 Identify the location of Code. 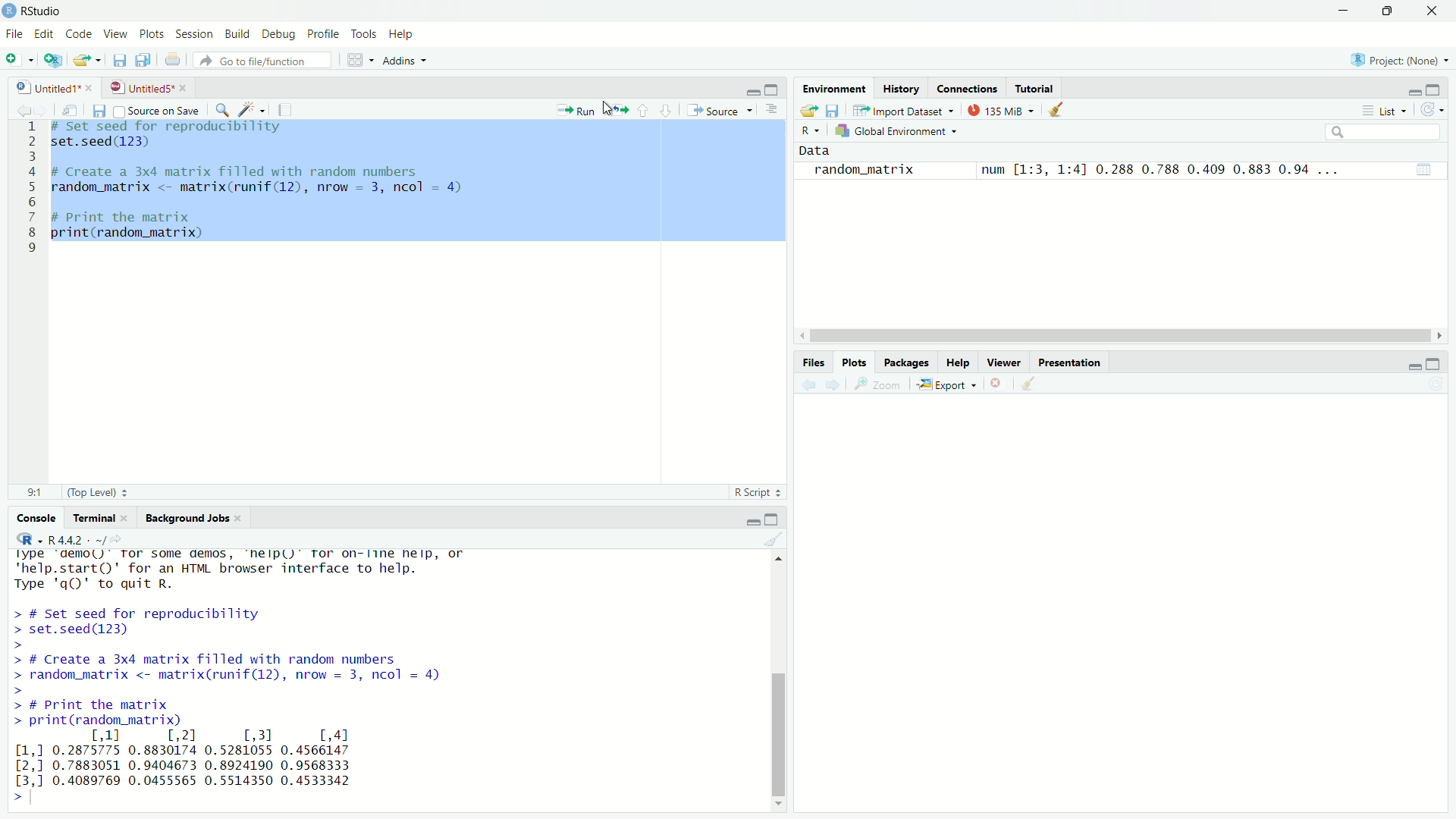
(80, 35).